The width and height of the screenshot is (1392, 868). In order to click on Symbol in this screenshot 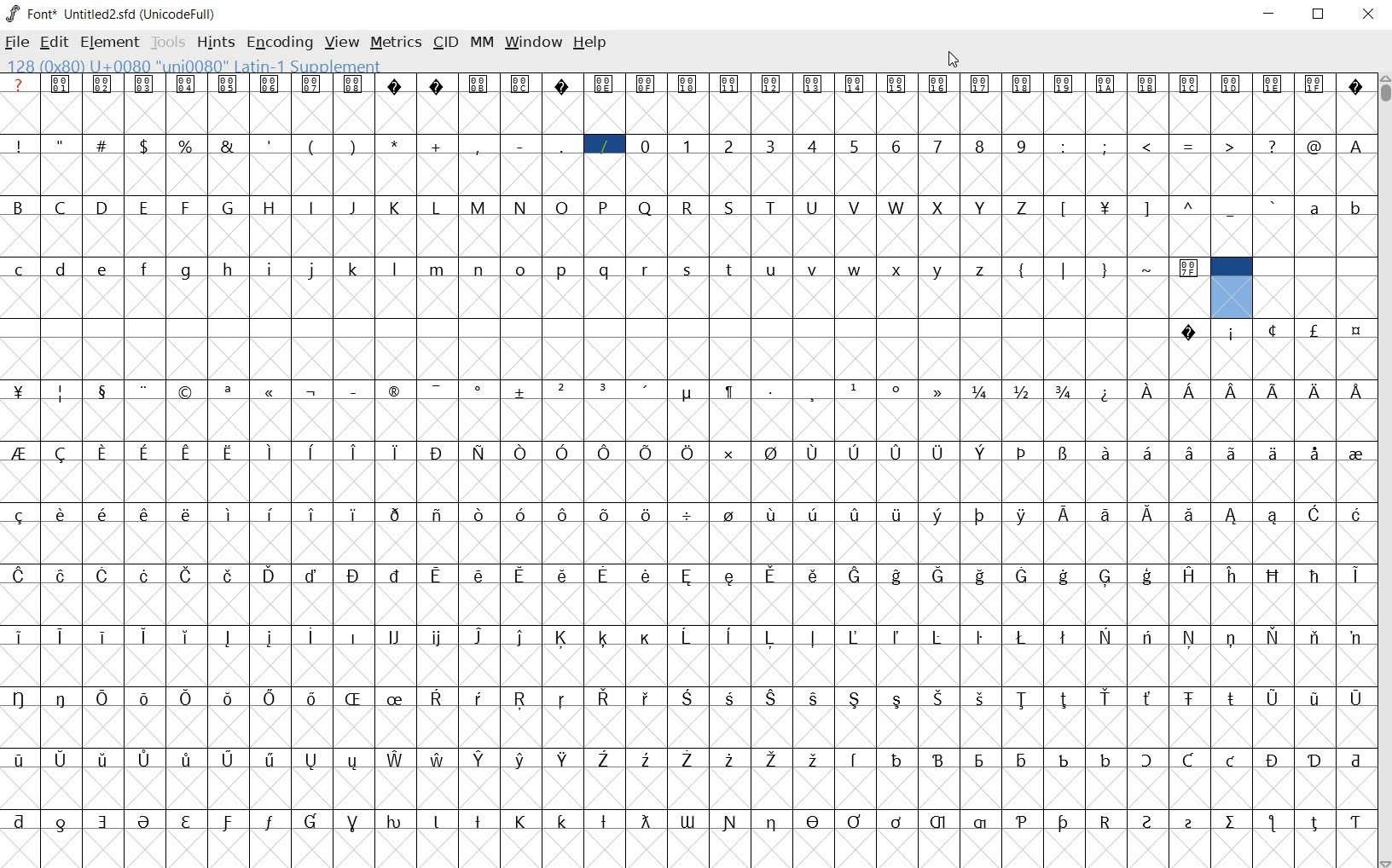, I will do `click(1356, 697)`.